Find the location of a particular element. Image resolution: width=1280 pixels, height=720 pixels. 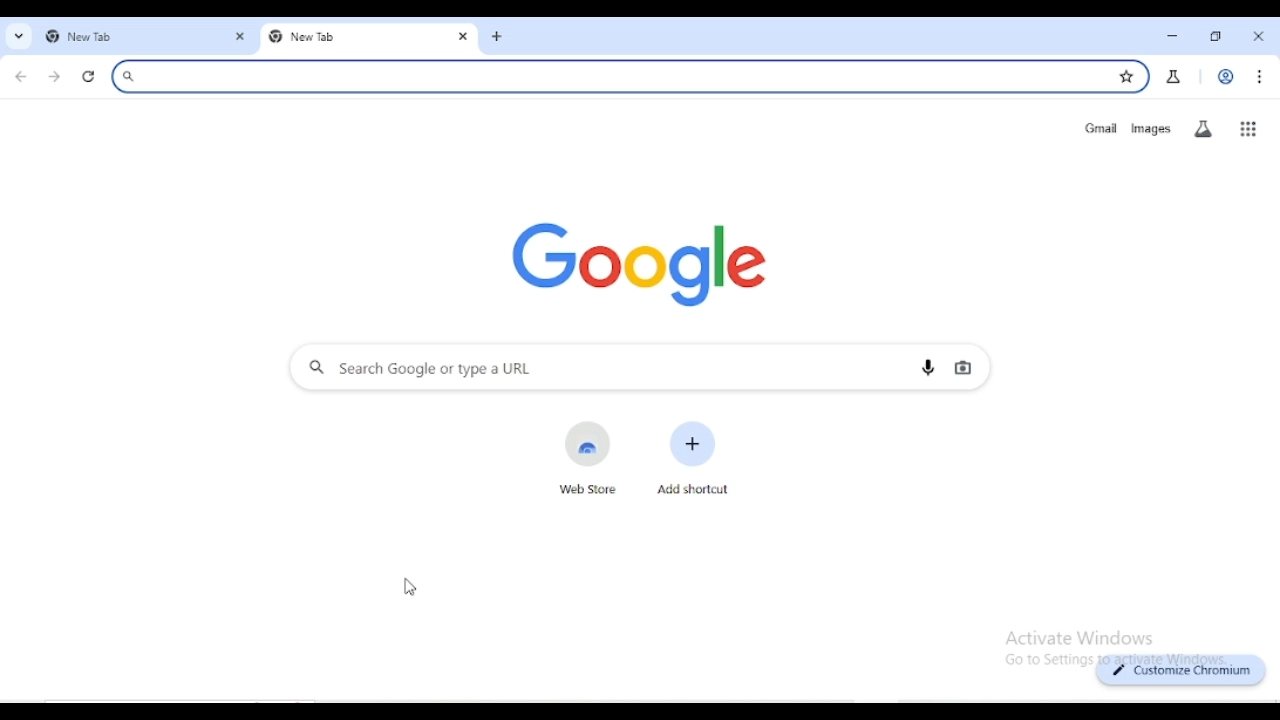

images is located at coordinates (1150, 129).